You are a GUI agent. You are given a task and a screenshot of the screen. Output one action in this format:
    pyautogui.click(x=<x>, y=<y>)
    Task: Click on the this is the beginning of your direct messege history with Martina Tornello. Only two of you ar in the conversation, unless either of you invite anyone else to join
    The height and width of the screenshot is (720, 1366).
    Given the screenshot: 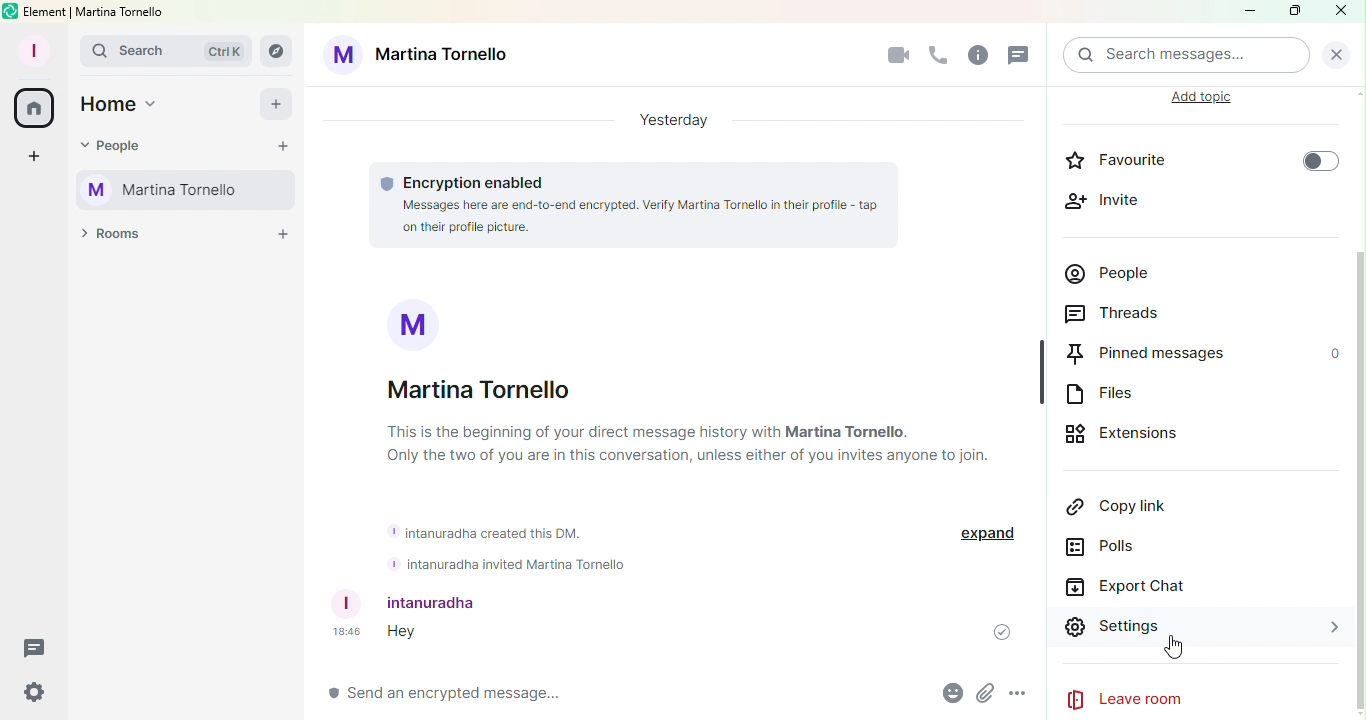 What is the action you would take?
    pyautogui.click(x=684, y=444)
    